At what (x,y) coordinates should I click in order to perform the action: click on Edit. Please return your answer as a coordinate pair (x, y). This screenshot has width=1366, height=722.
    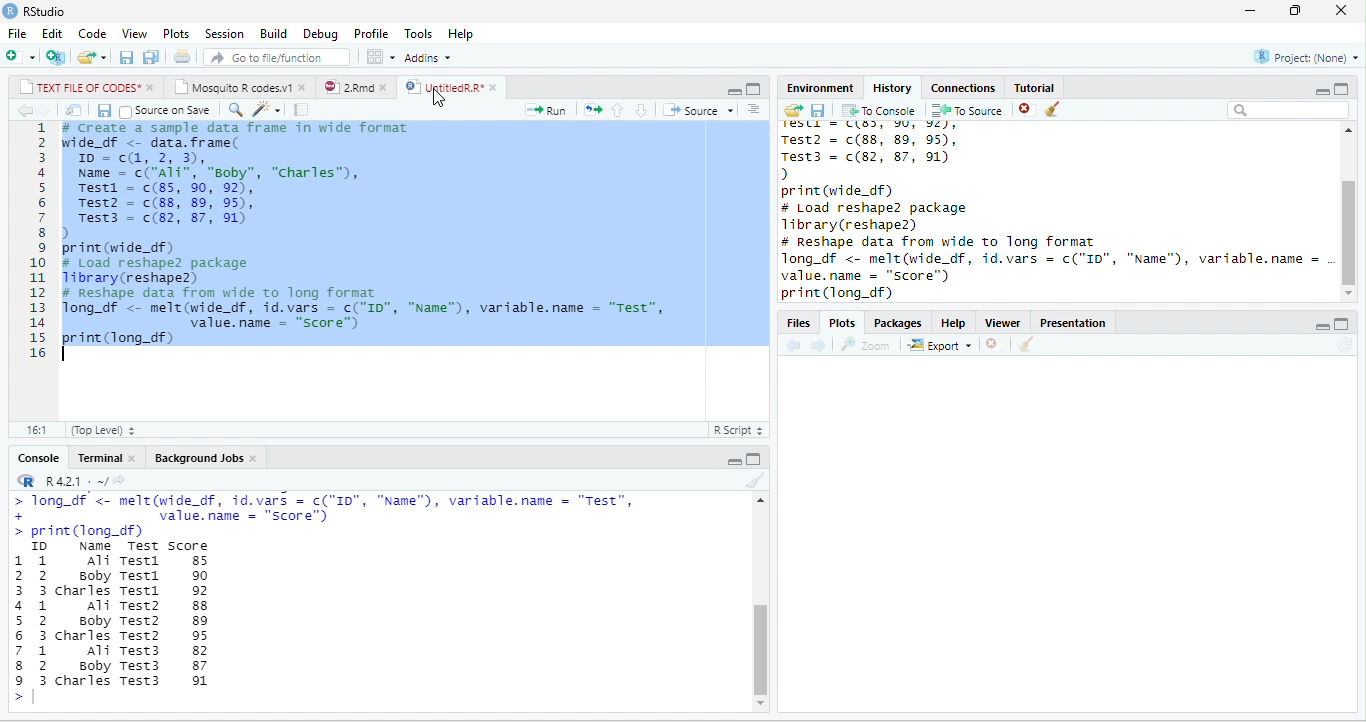
    Looking at the image, I should click on (52, 33).